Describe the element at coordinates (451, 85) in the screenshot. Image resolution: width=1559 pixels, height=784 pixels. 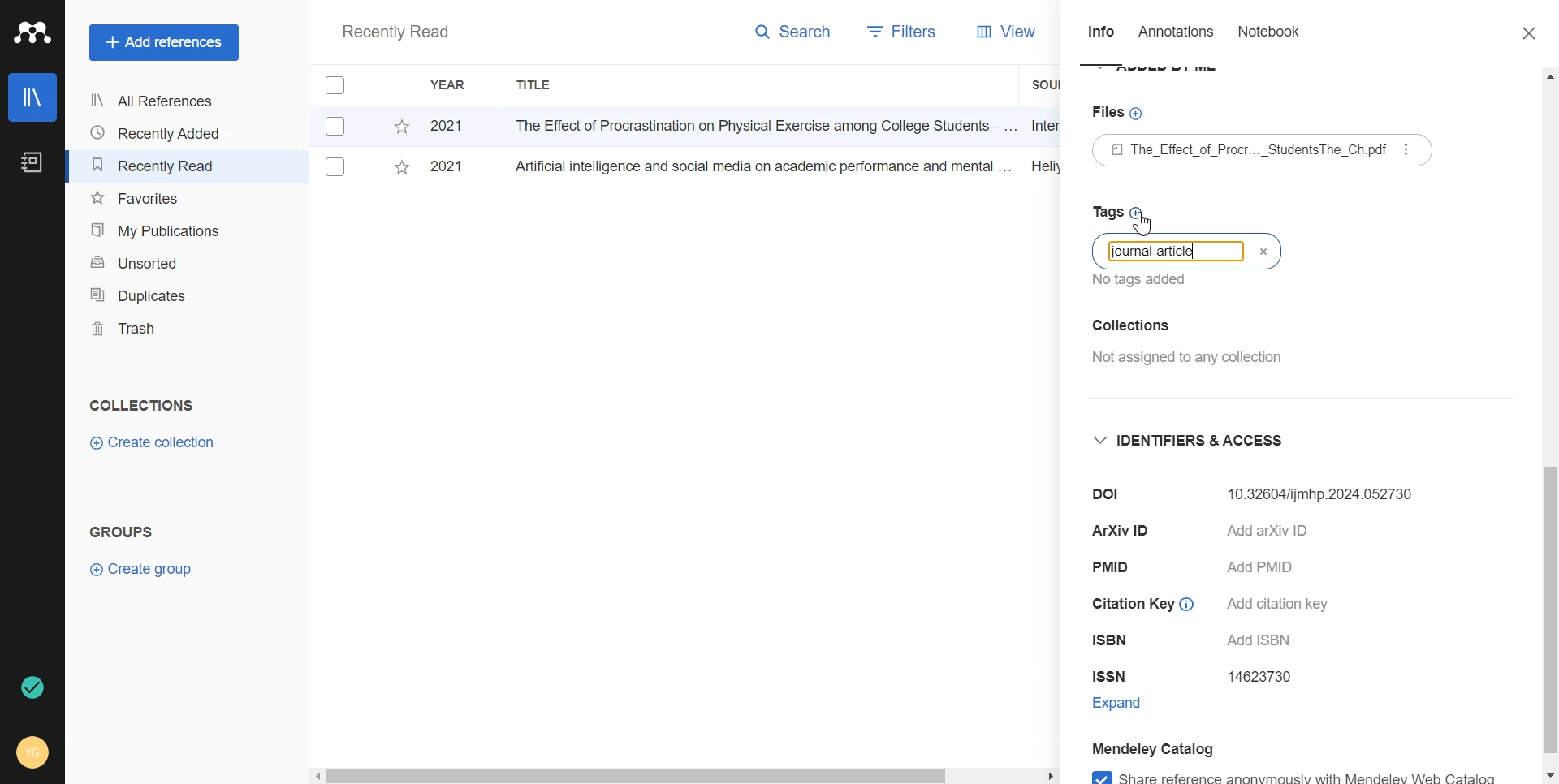
I see `Year` at that location.